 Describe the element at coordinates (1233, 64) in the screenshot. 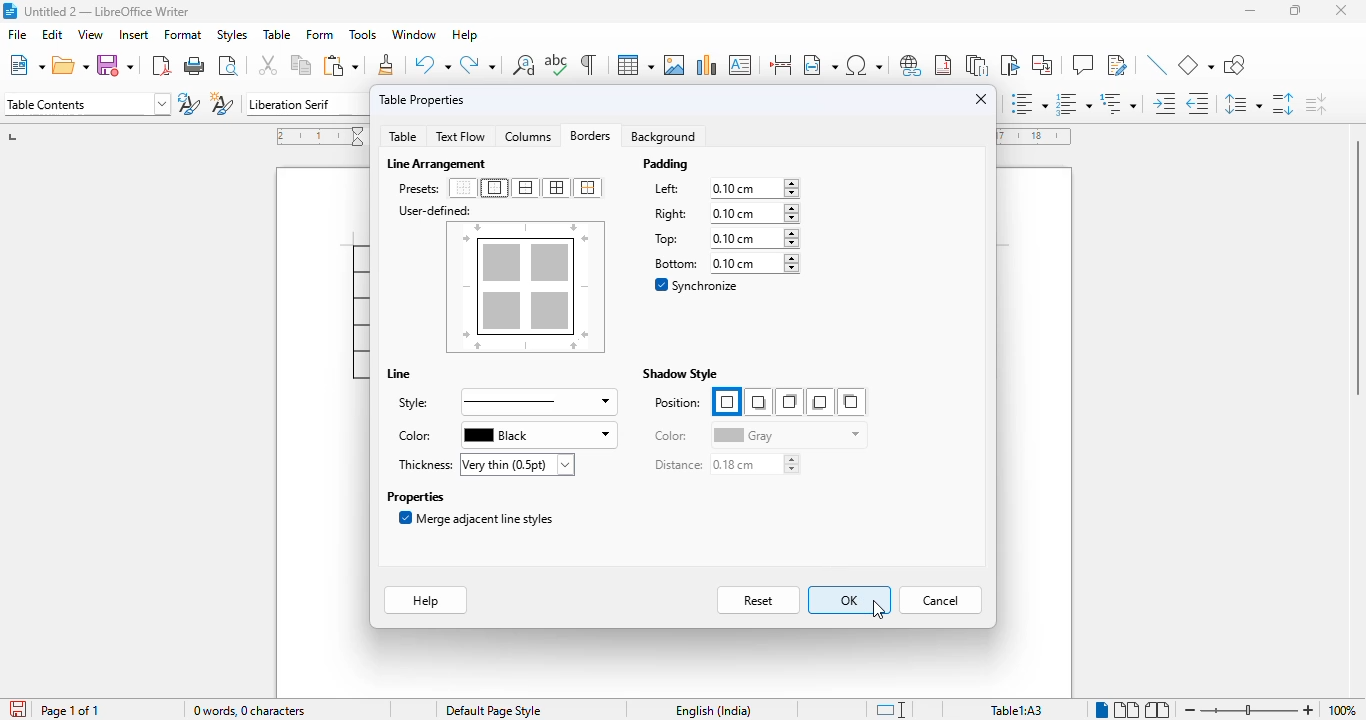

I see `show draw functions` at that location.